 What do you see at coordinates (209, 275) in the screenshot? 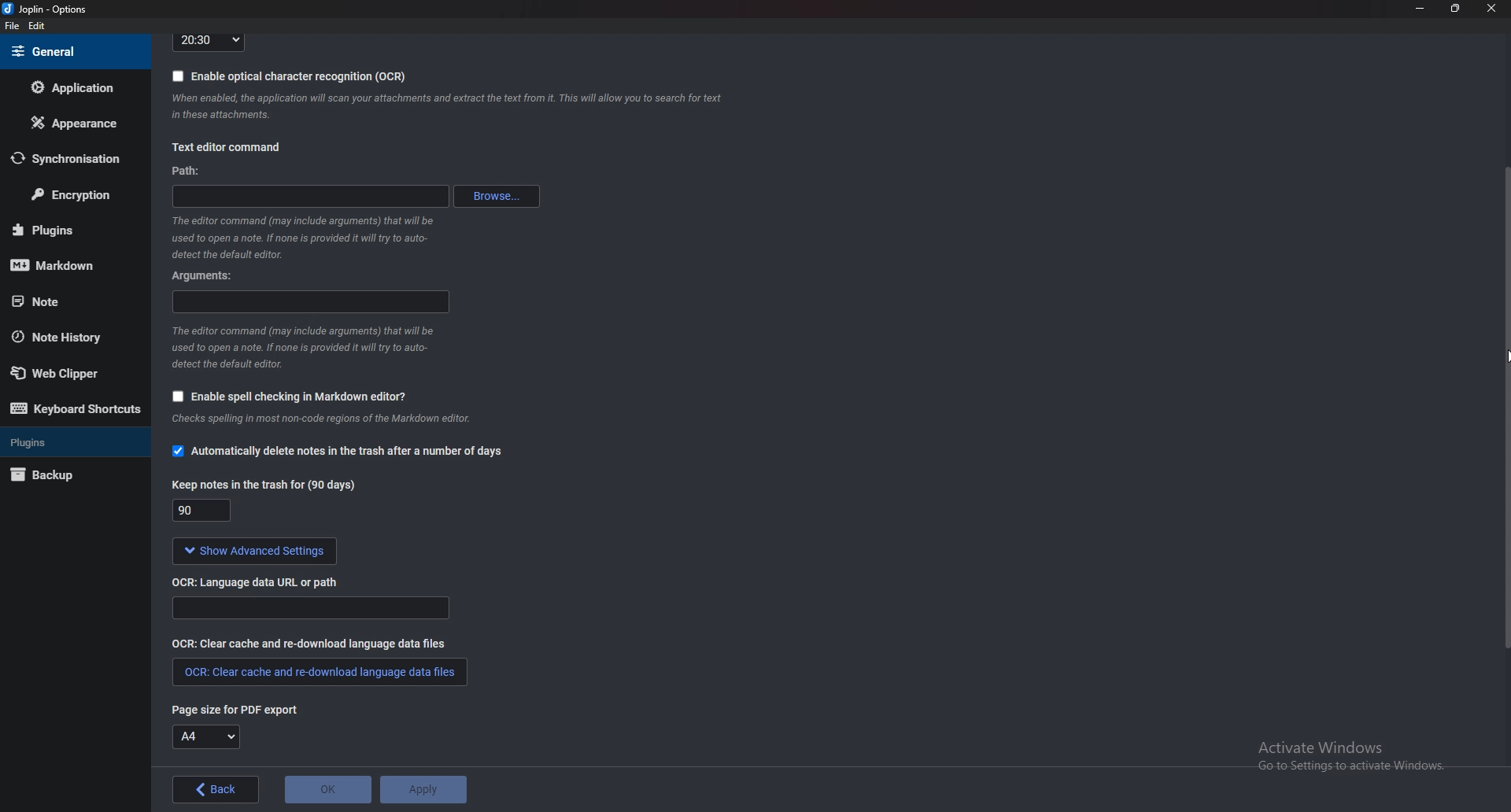
I see `Arguments` at bounding box center [209, 275].